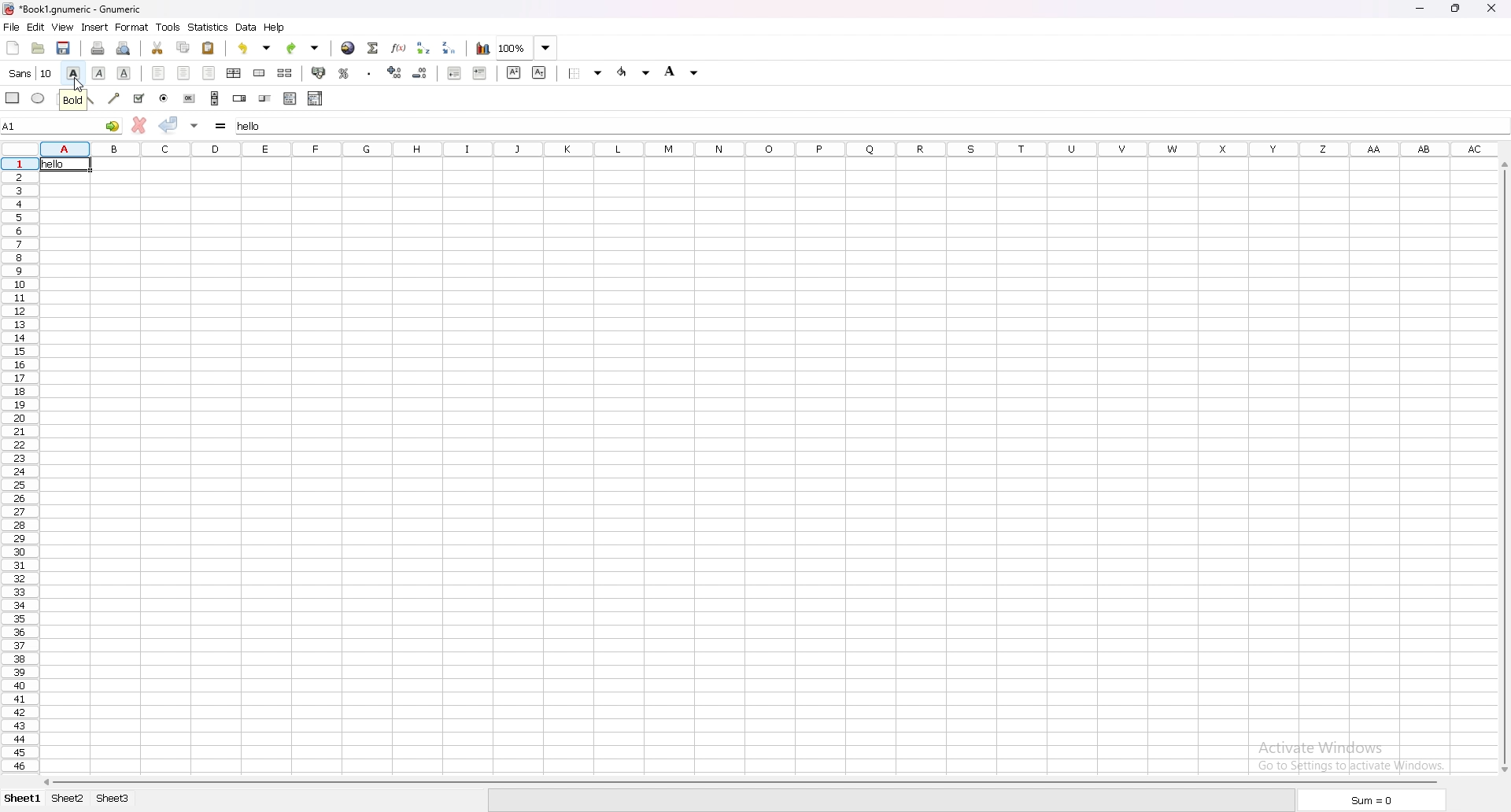 The height and width of the screenshot is (812, 1511). What do you see at coordinates (239, 97) in the screenshot?
I see `spin button` at bounding box center [239, 97].